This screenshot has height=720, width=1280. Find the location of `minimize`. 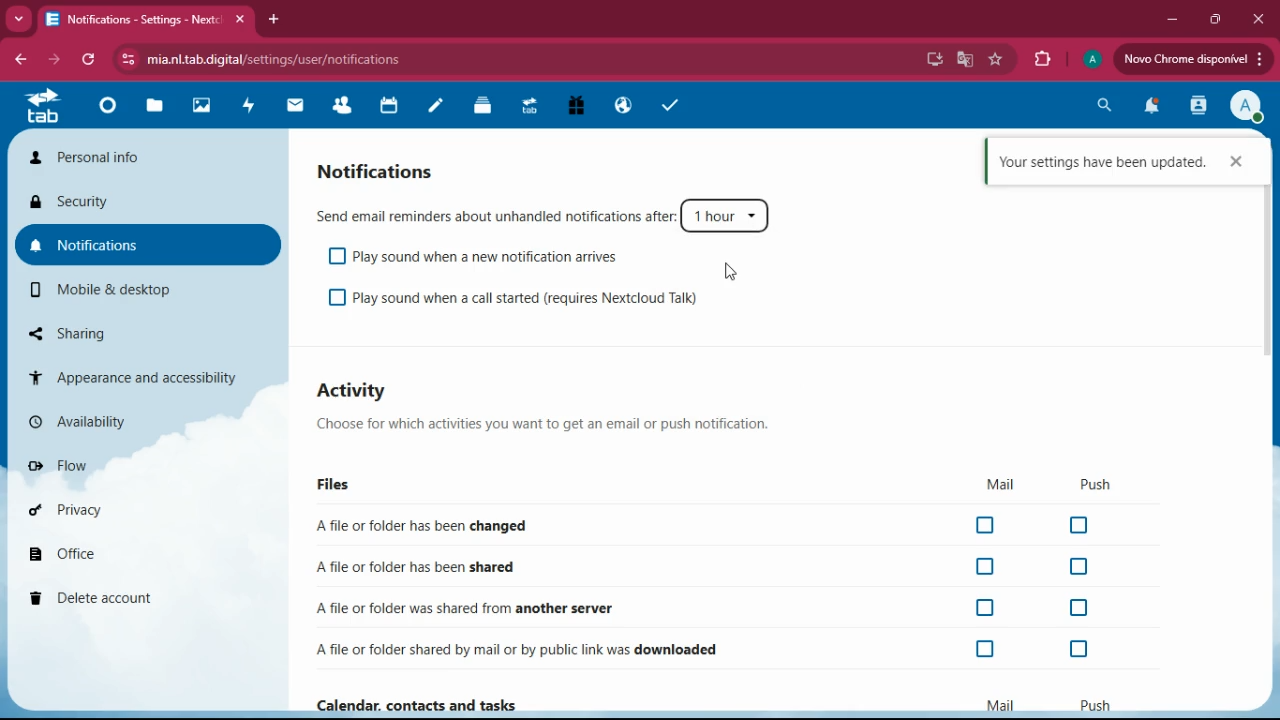

minimize is located at coordinates (1175, 19).